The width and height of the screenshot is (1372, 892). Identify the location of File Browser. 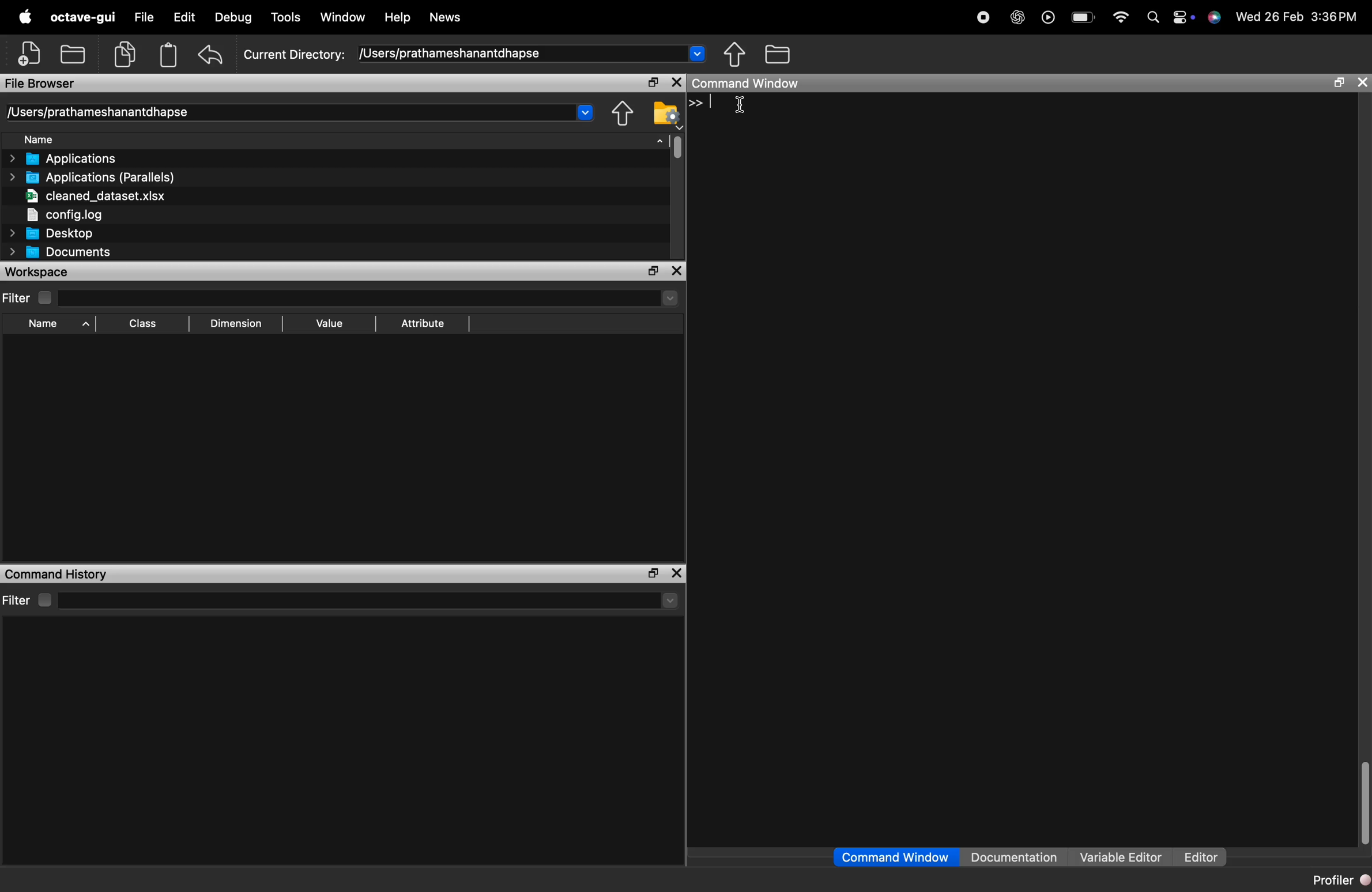
(318, 82).